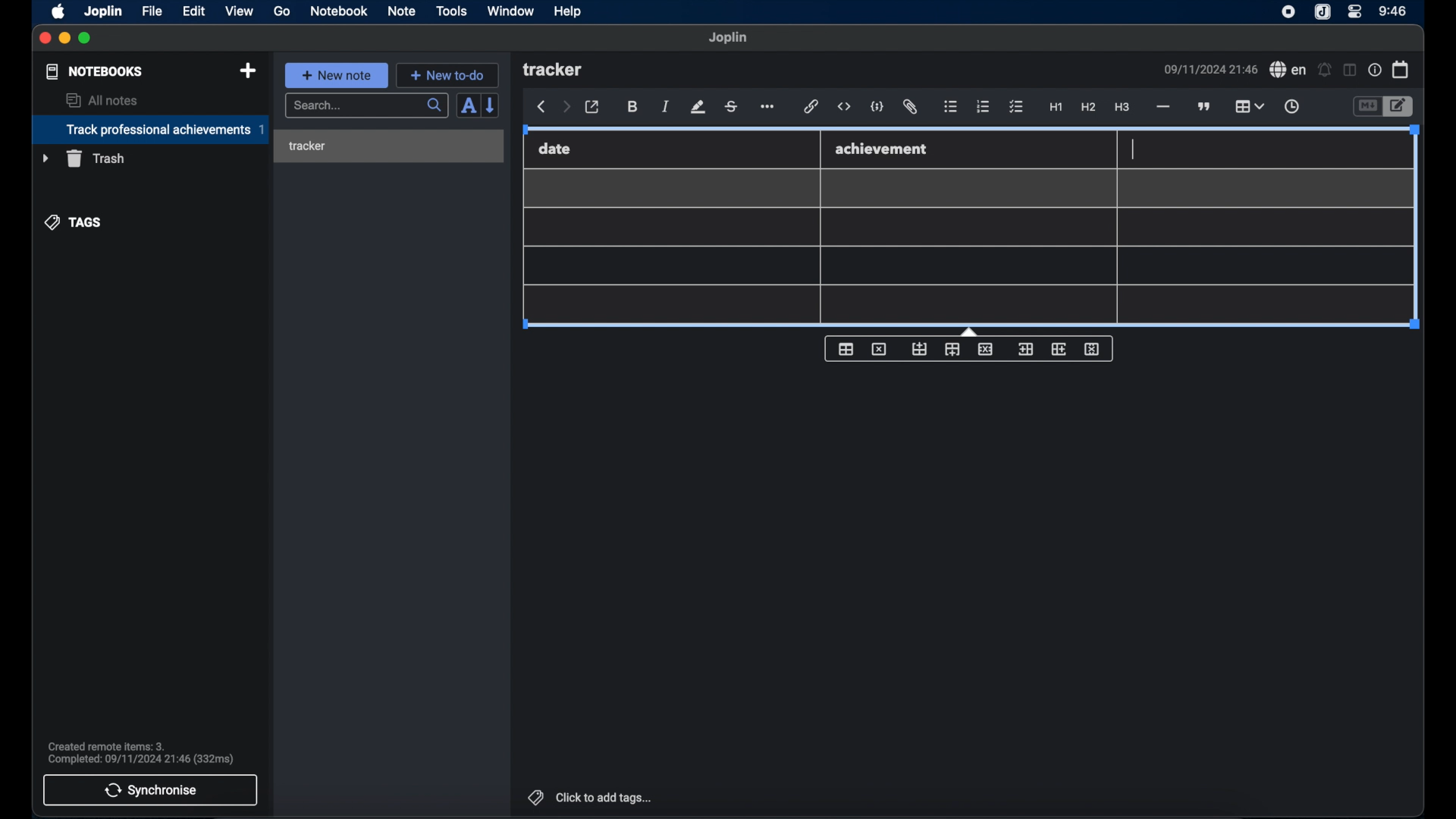 Image resolution: width=1456 pixels, height=819 pixels. What do you see at coordinates (985, 349) in the screenshot?
I see `delete row` at bounding box center [985, 349].